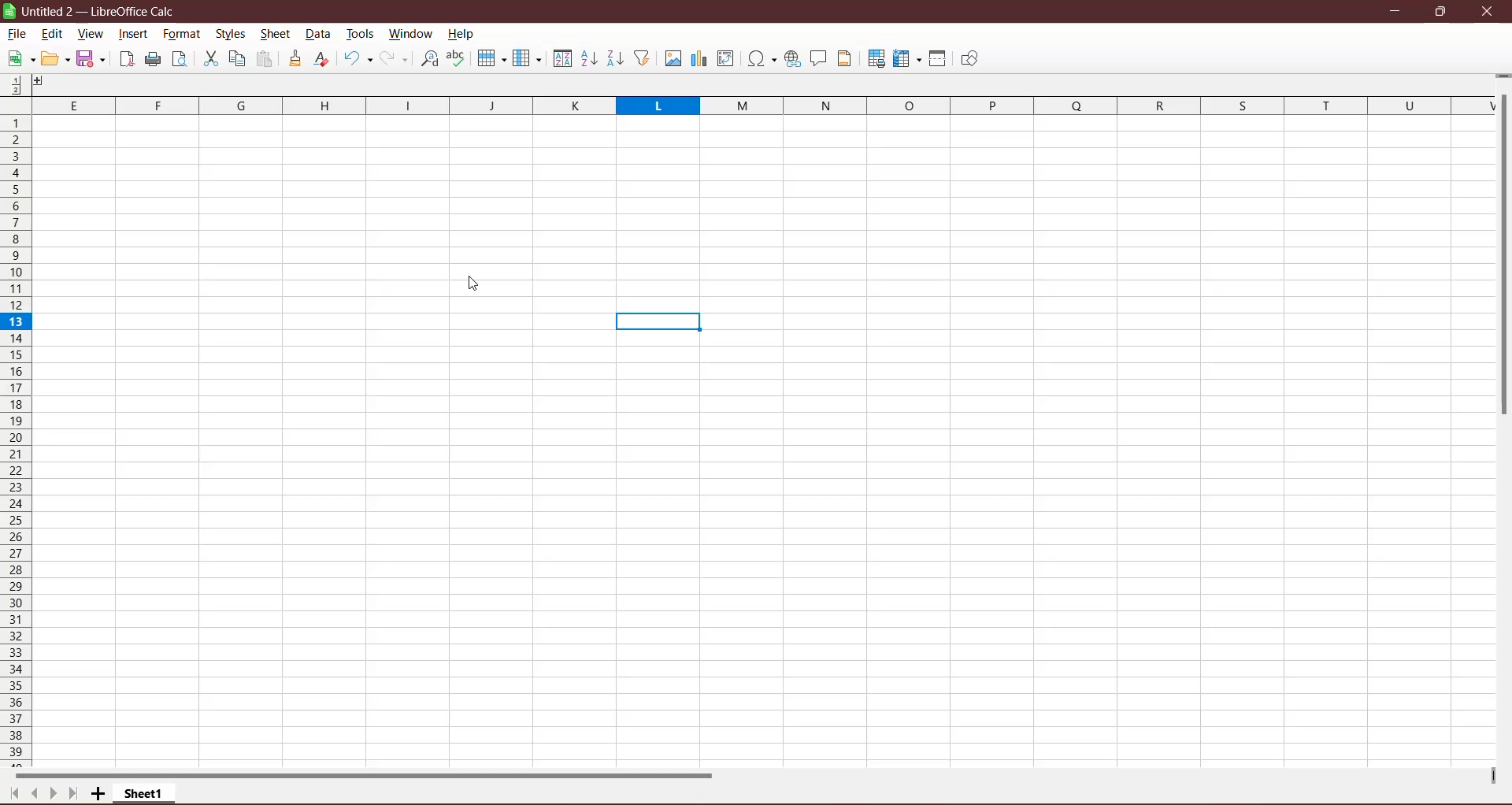  Describe the element at coordinates (32, 793) in the screenshot. I see `Scroll to previous page` at that location.